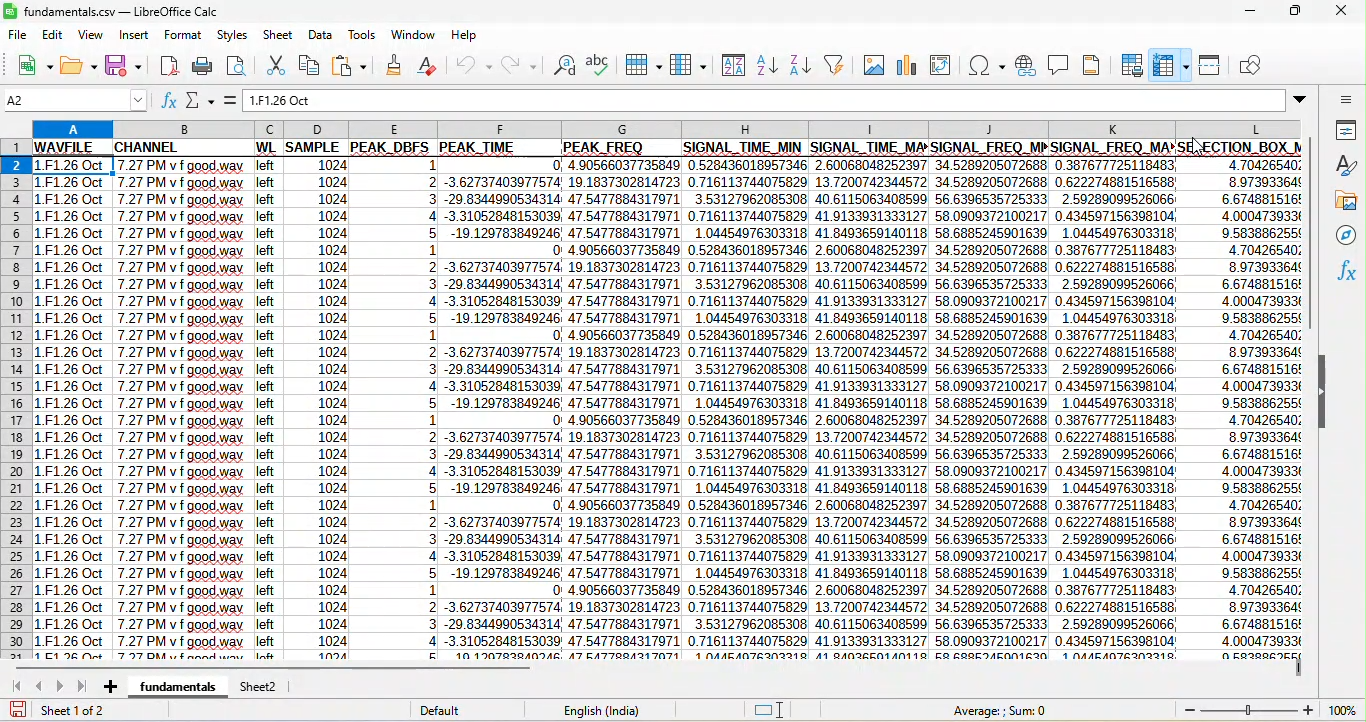 The image size is (1366, 722). Describe the element at coordinates (355, 64) in the screenshot. I see `paste` at that location.